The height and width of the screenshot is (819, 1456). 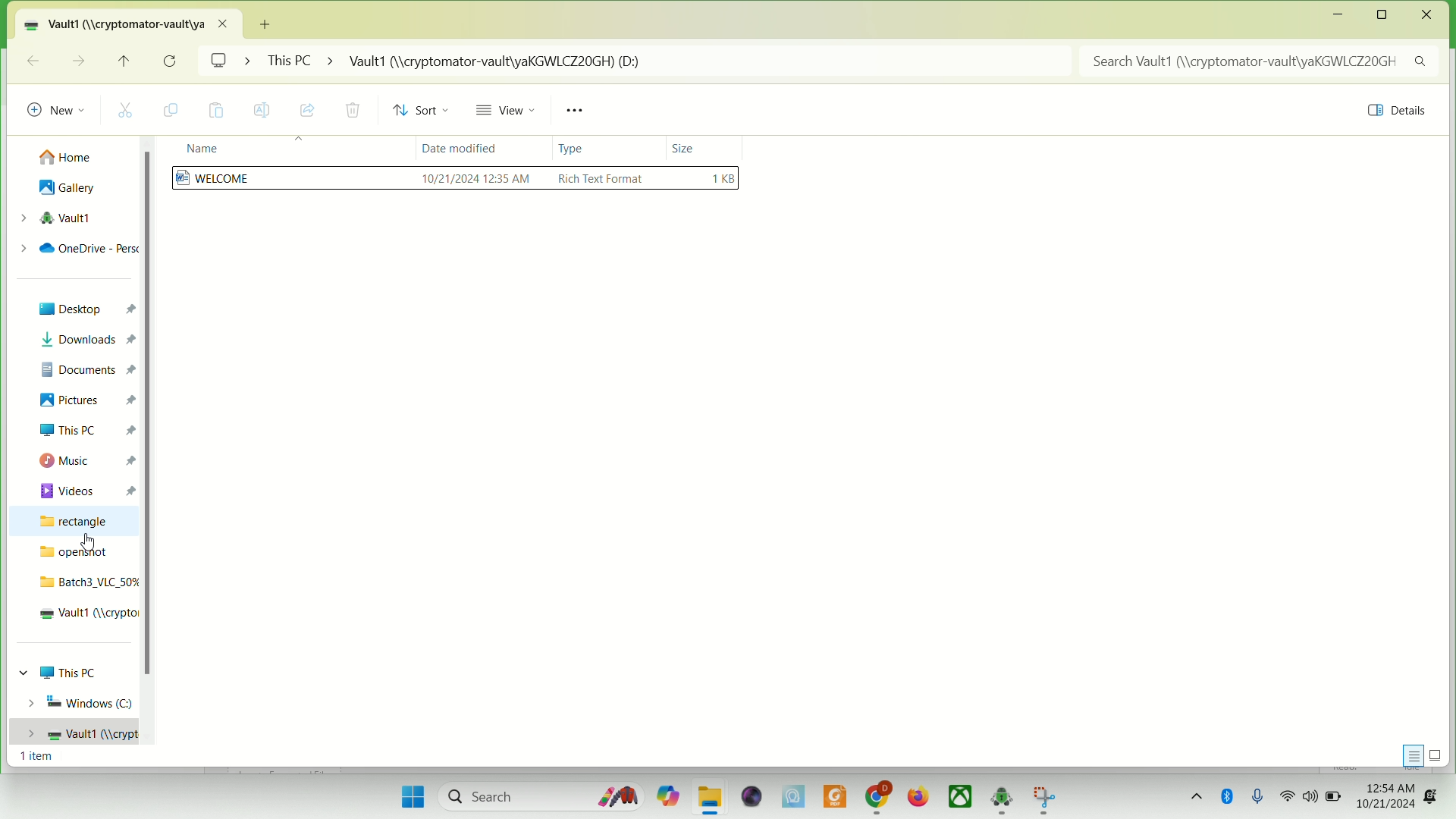 What do you see at coordinates (85, 400) in the screenshot?
I see `pictures` at bounding box center [85, 400].